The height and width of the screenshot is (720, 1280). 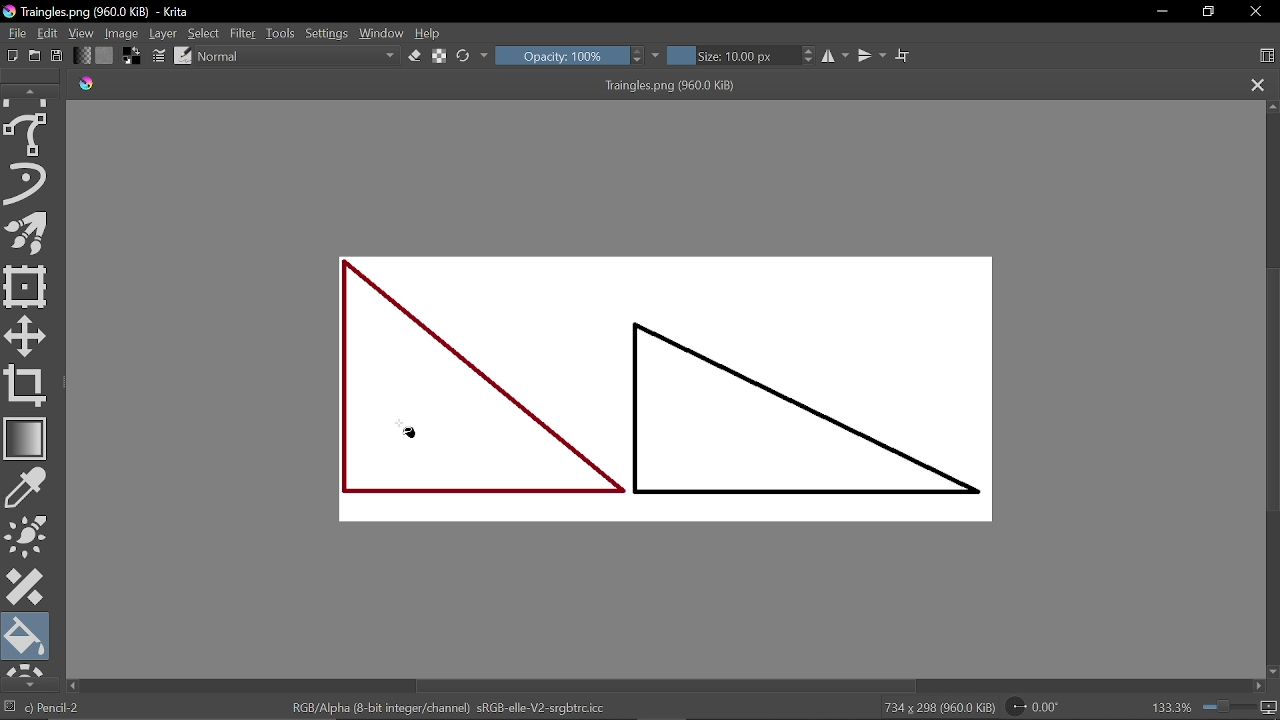 What do you see at coordinates (127, 12) in the screenshot?
I see `Triangles.png (960.0 KiB) - Krita` at bounding box center [127, 12].